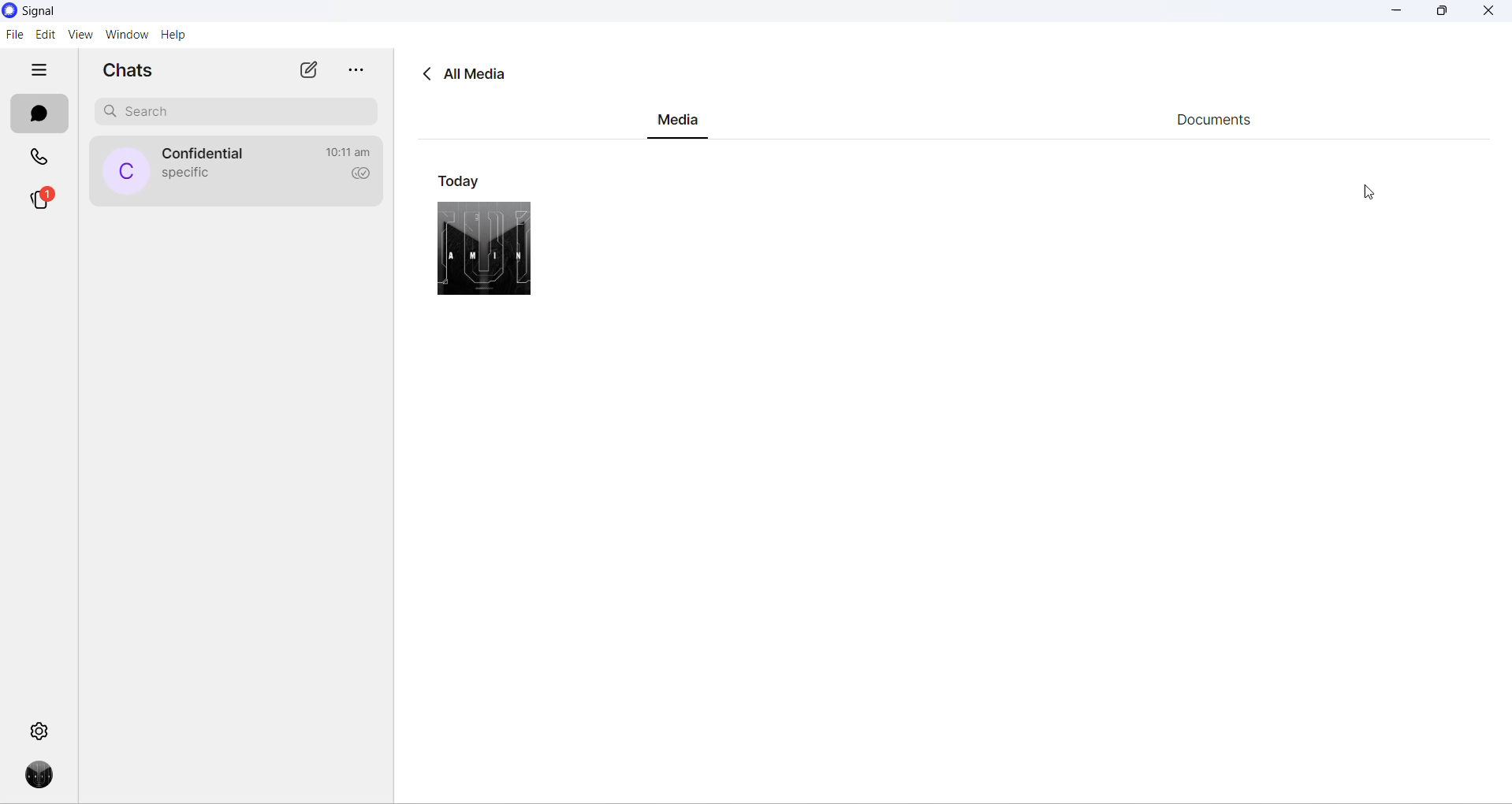 The width and height of the screenshot is (1512, 804). What do you see at coordinates (1441, 13) in the screenshot?
I see `maximize` at bounding box center [1441, 13].